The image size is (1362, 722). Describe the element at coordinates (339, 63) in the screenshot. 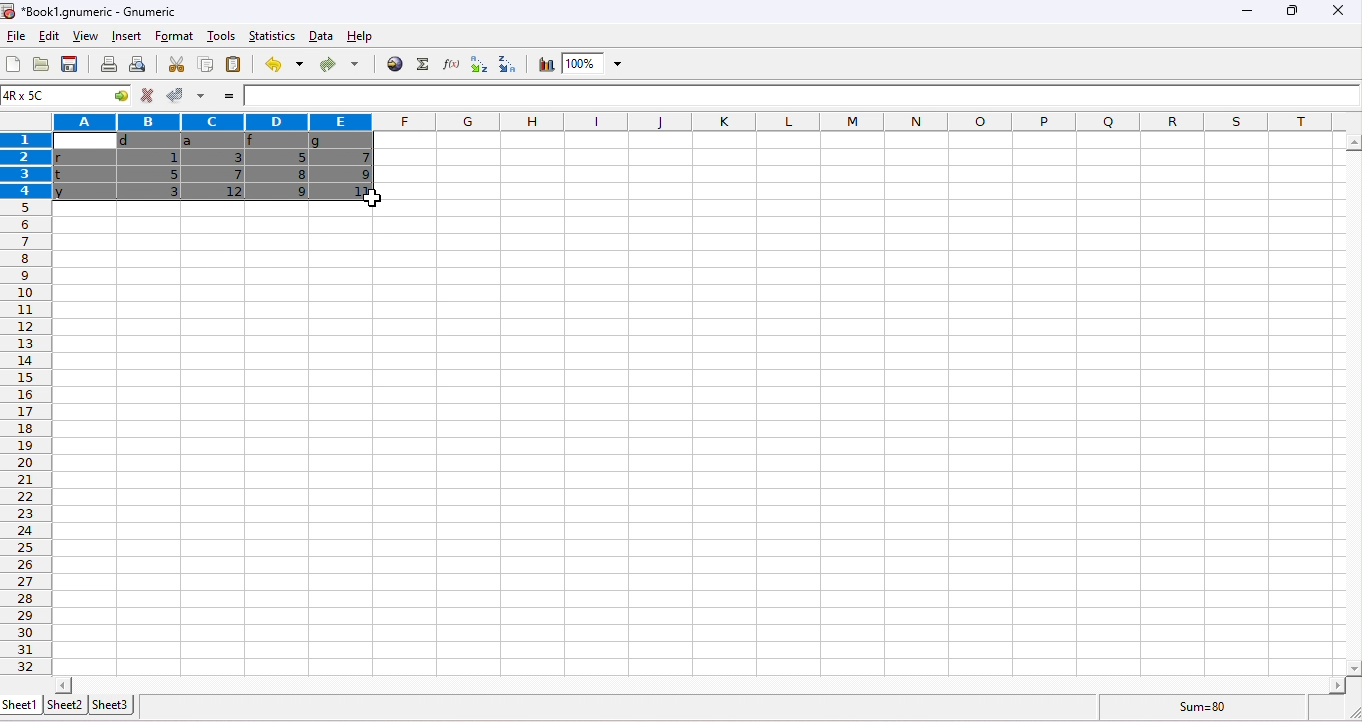

I see `redo` at that location.